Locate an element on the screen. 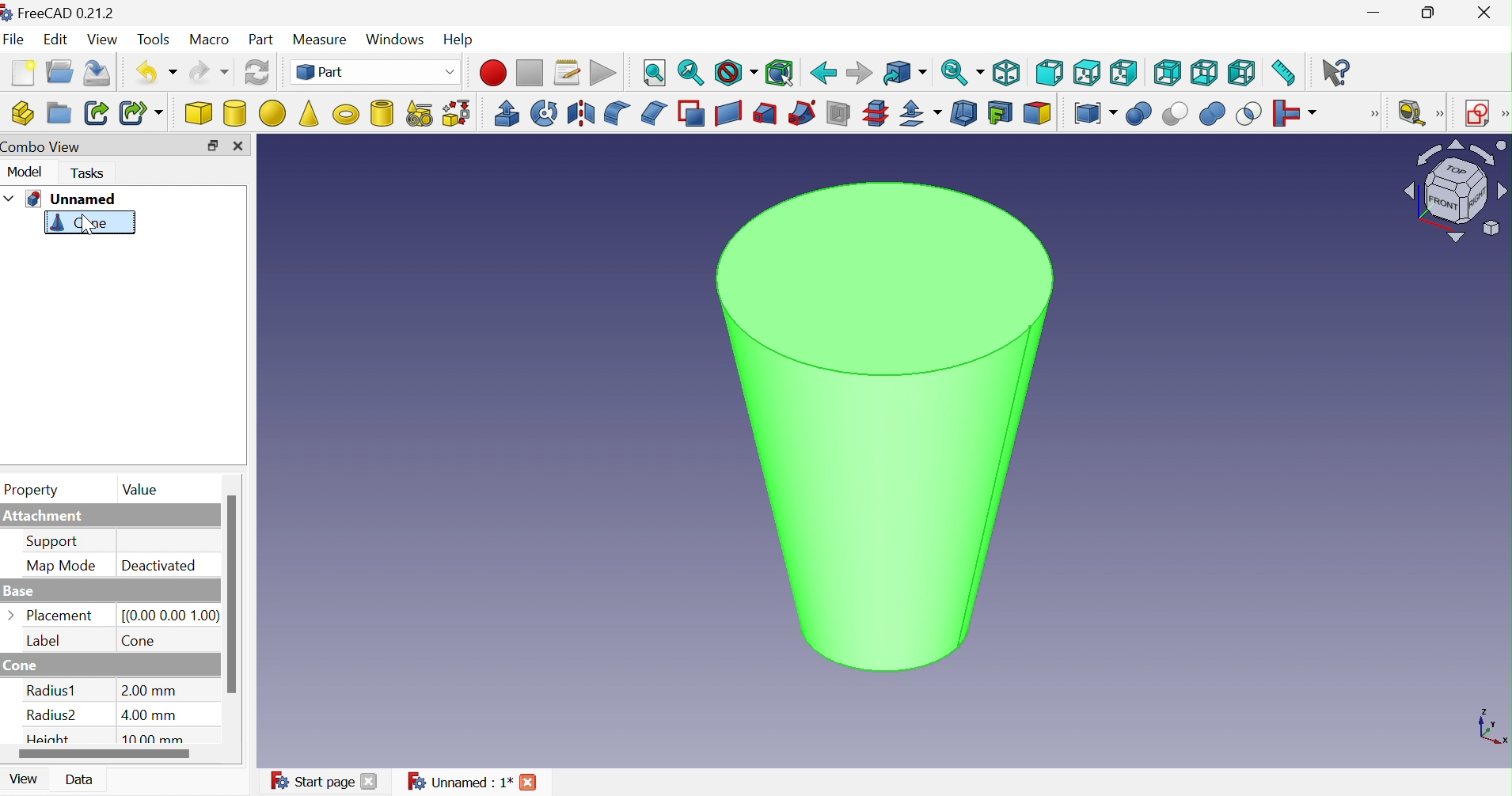 The width and height of the screenshot is (1512, 796). Fit all is located at coordinates (655, 74).